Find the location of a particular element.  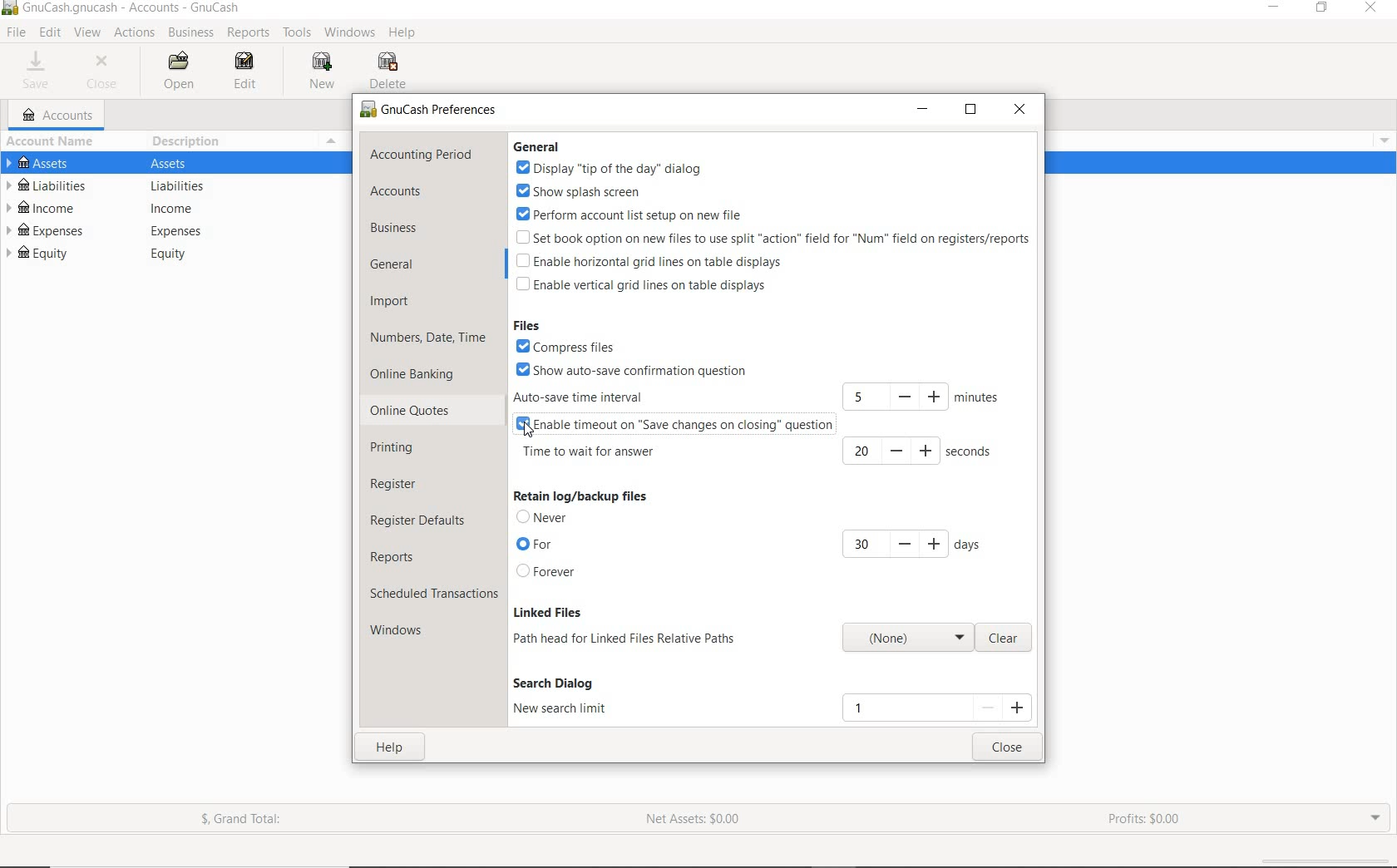

forever is located at coordinates (550, 572).